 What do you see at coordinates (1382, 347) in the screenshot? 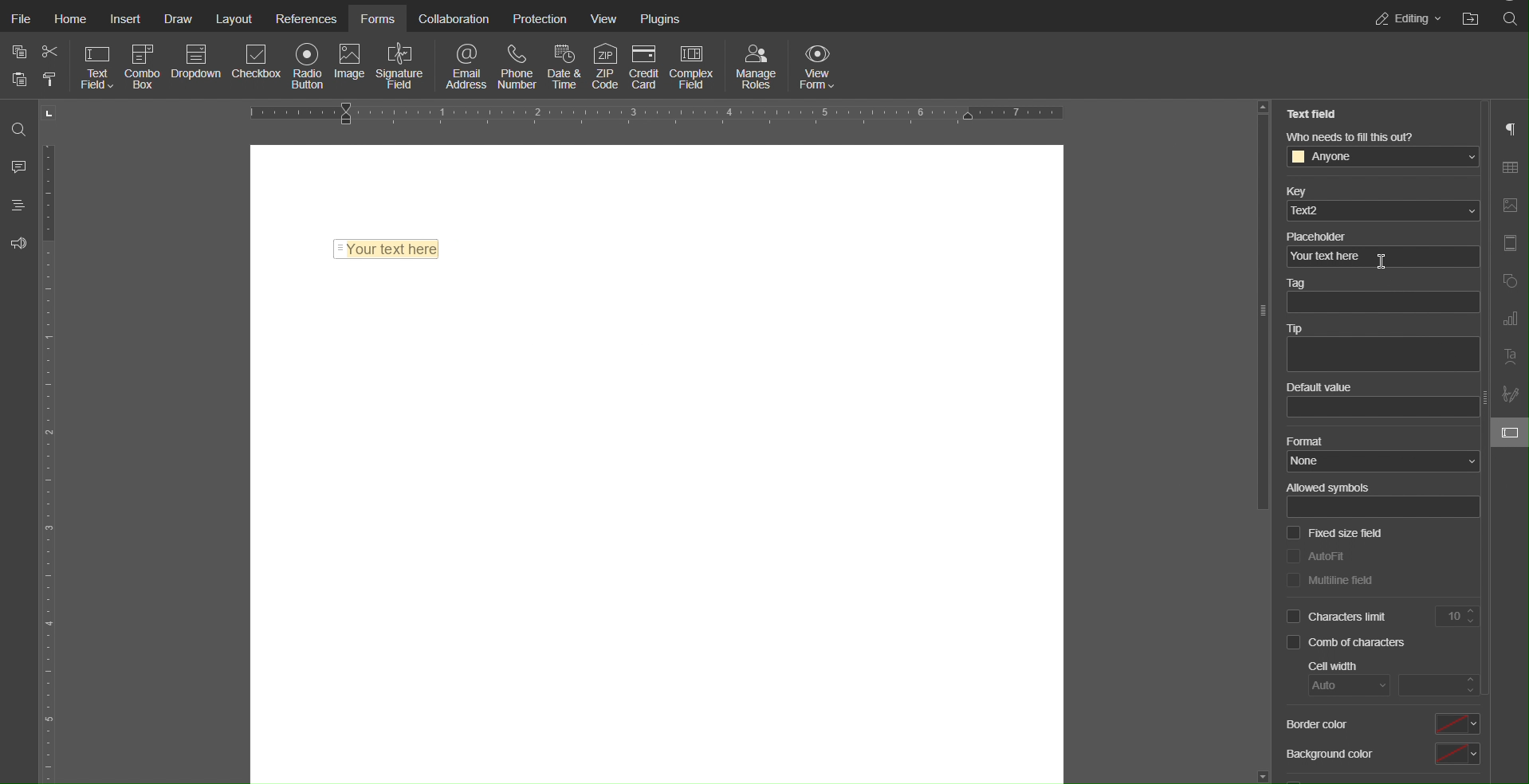
I see `Tip` at bounding box center [1382, 347].